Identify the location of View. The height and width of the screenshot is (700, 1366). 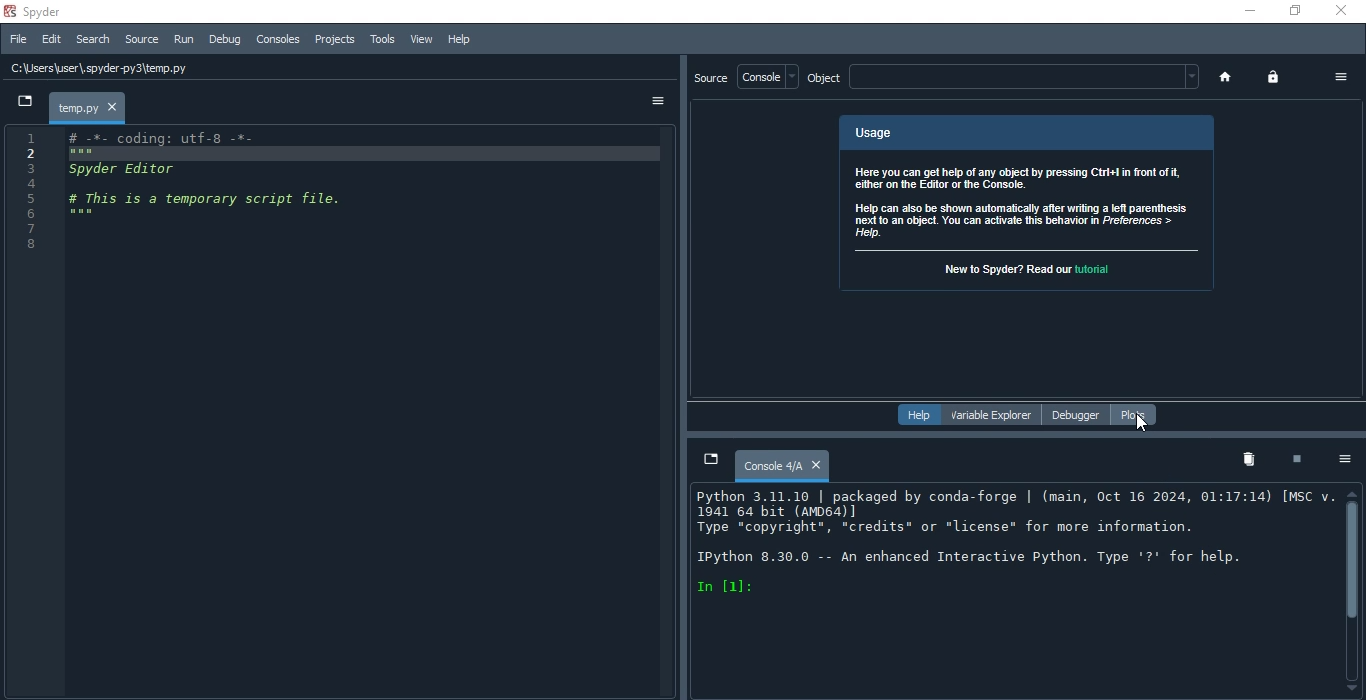
(421, 42).